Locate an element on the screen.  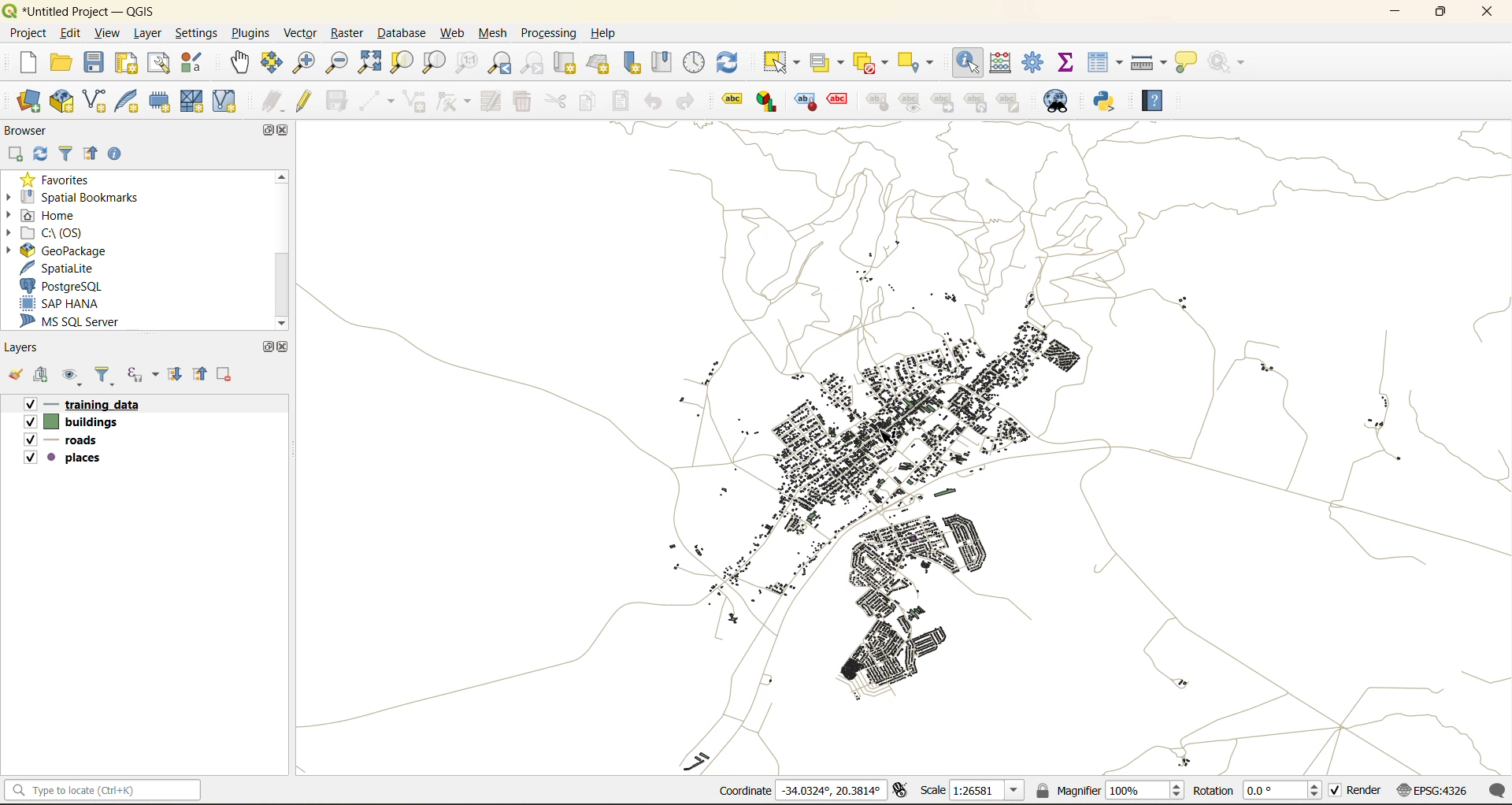
add polygon is located at coordinates (417, 106).